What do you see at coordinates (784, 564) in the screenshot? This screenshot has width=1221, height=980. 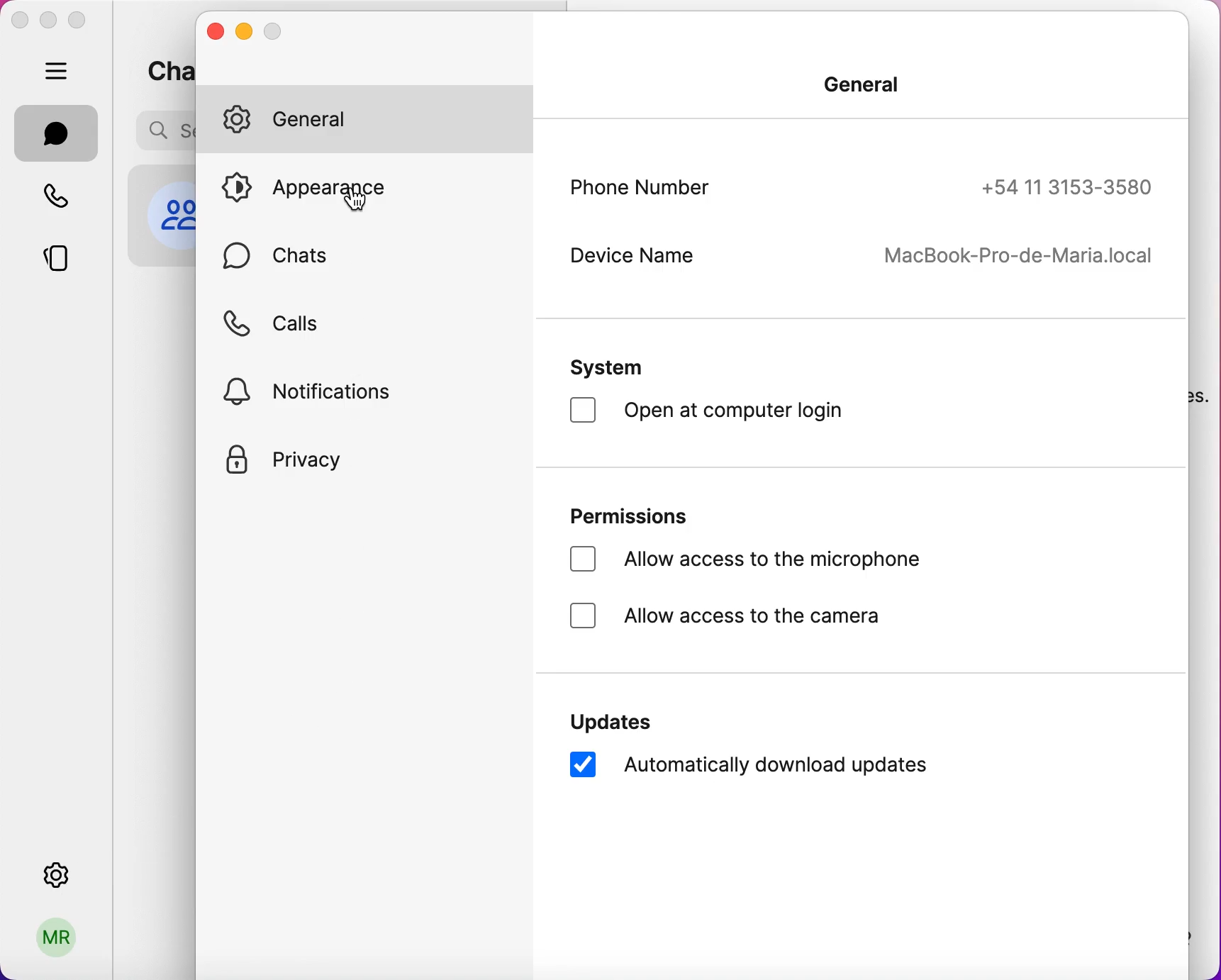 I see `allow access to the microphone` at bounding box center [784, 564].